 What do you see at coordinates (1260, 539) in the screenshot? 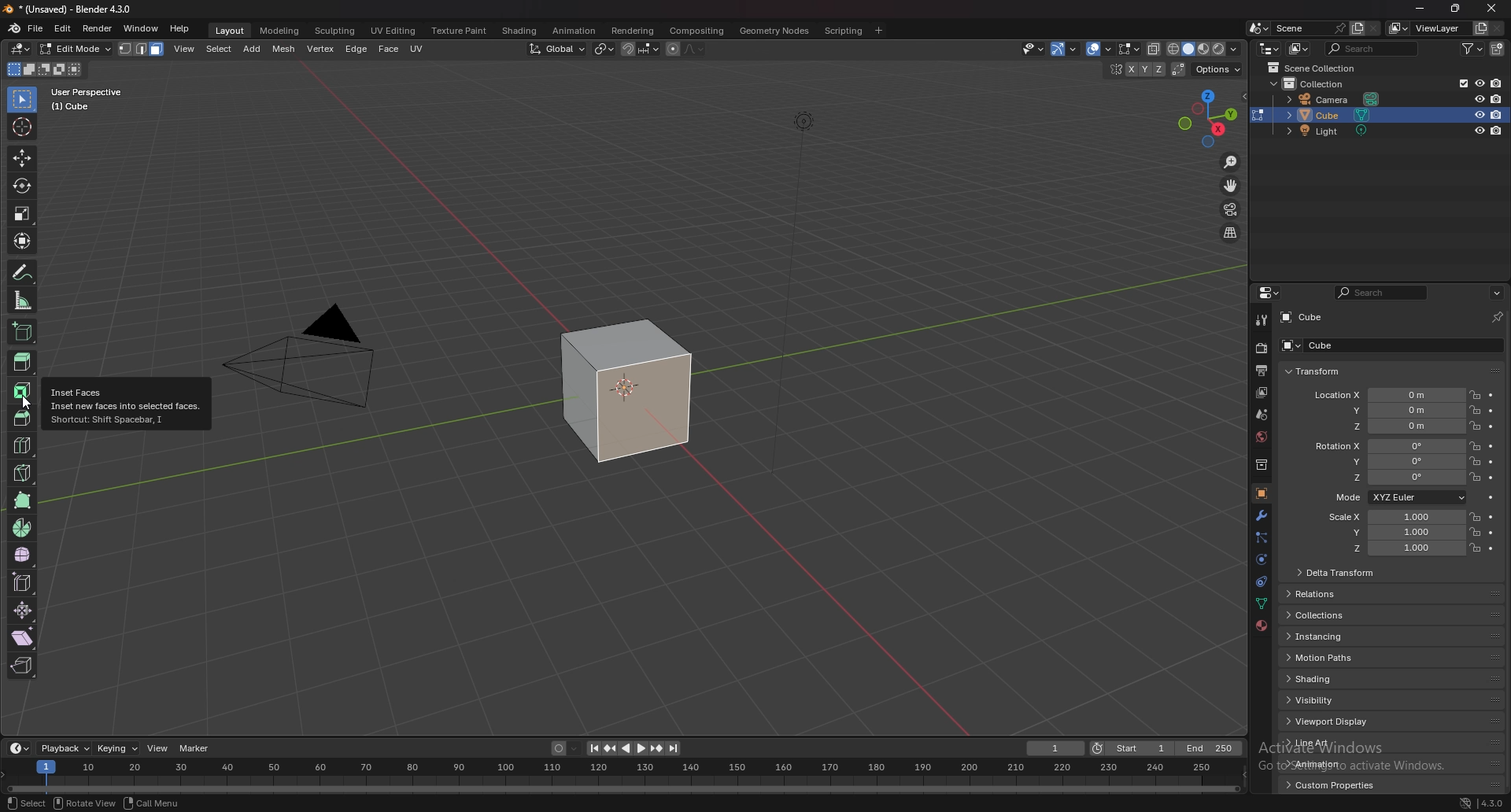
I see `particles` at bounding box center [1260, 539].